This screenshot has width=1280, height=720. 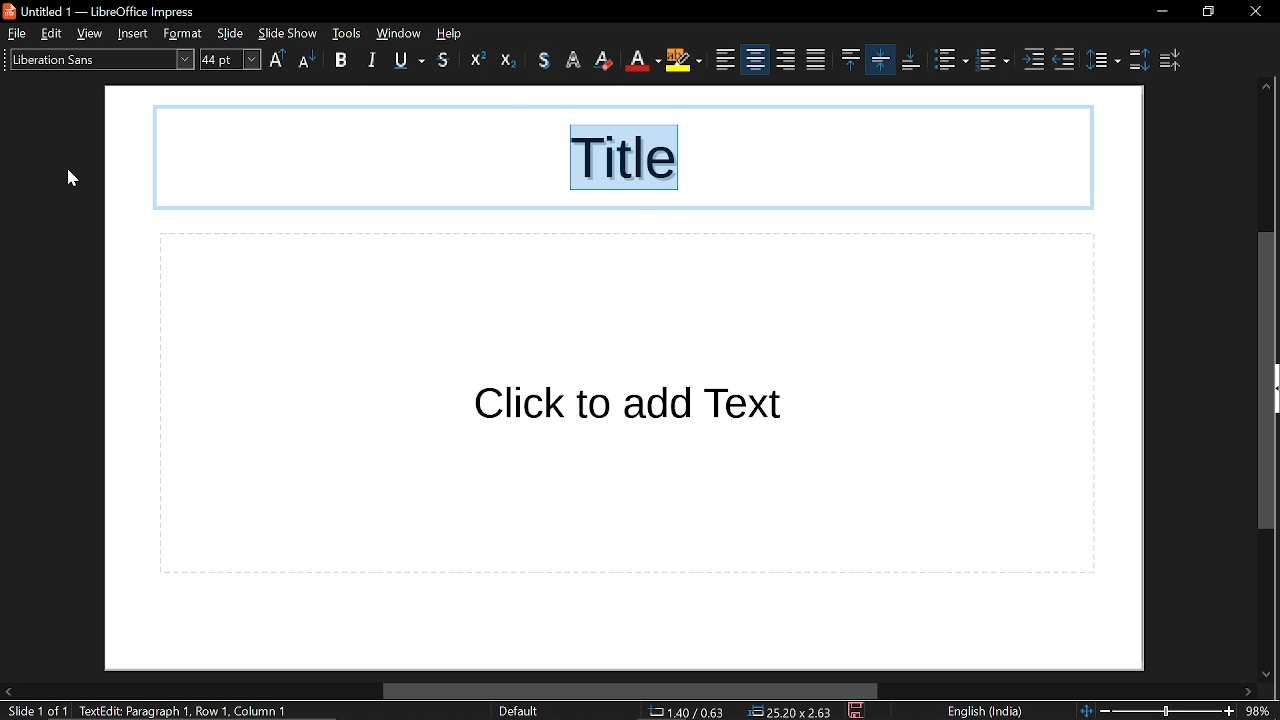 I want to click on center, so click(x=726, y=60).